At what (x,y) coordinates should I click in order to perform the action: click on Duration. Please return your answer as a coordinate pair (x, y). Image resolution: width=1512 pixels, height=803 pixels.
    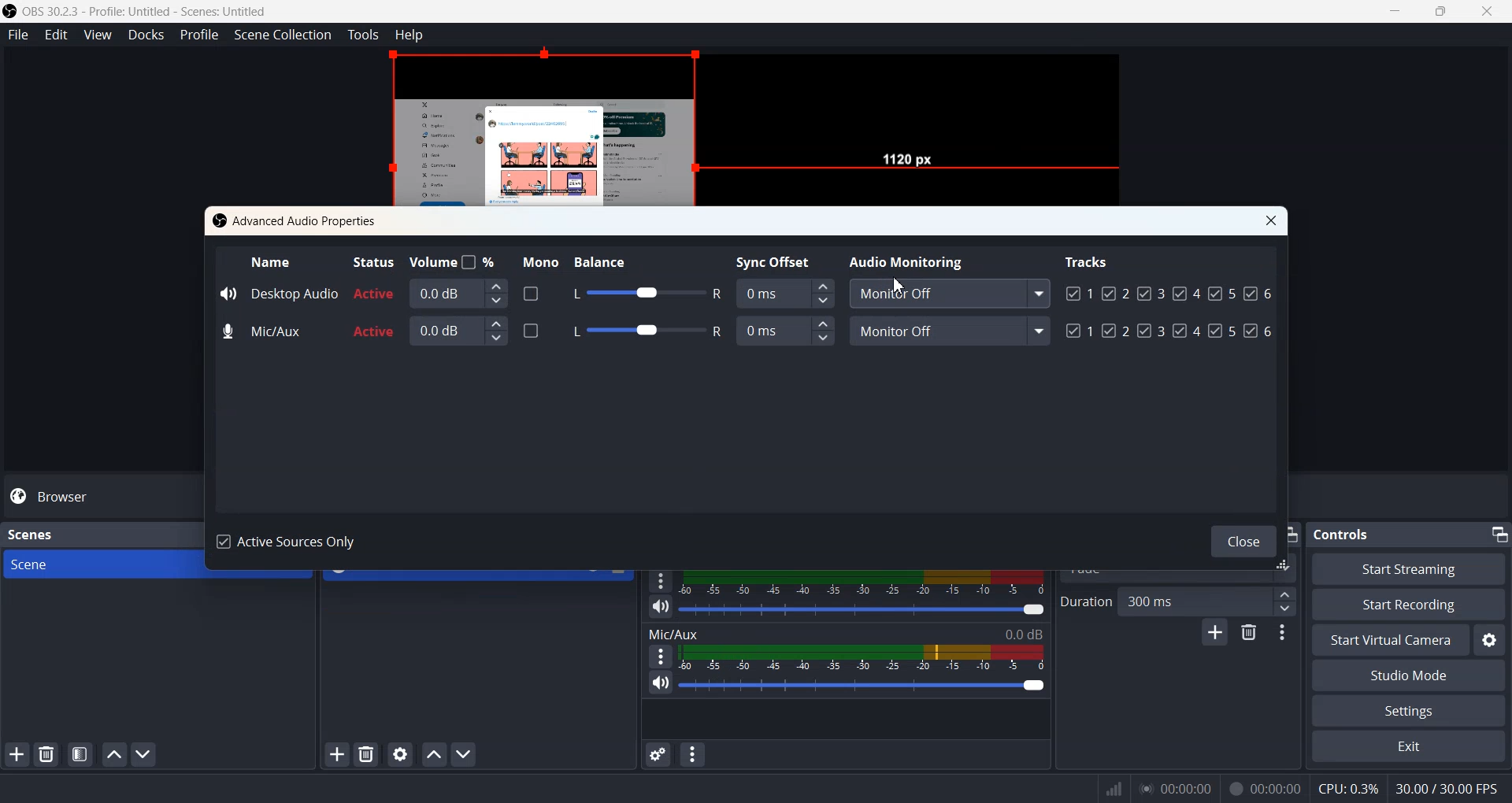
    Looking at the image, I should click on (1085, 601).